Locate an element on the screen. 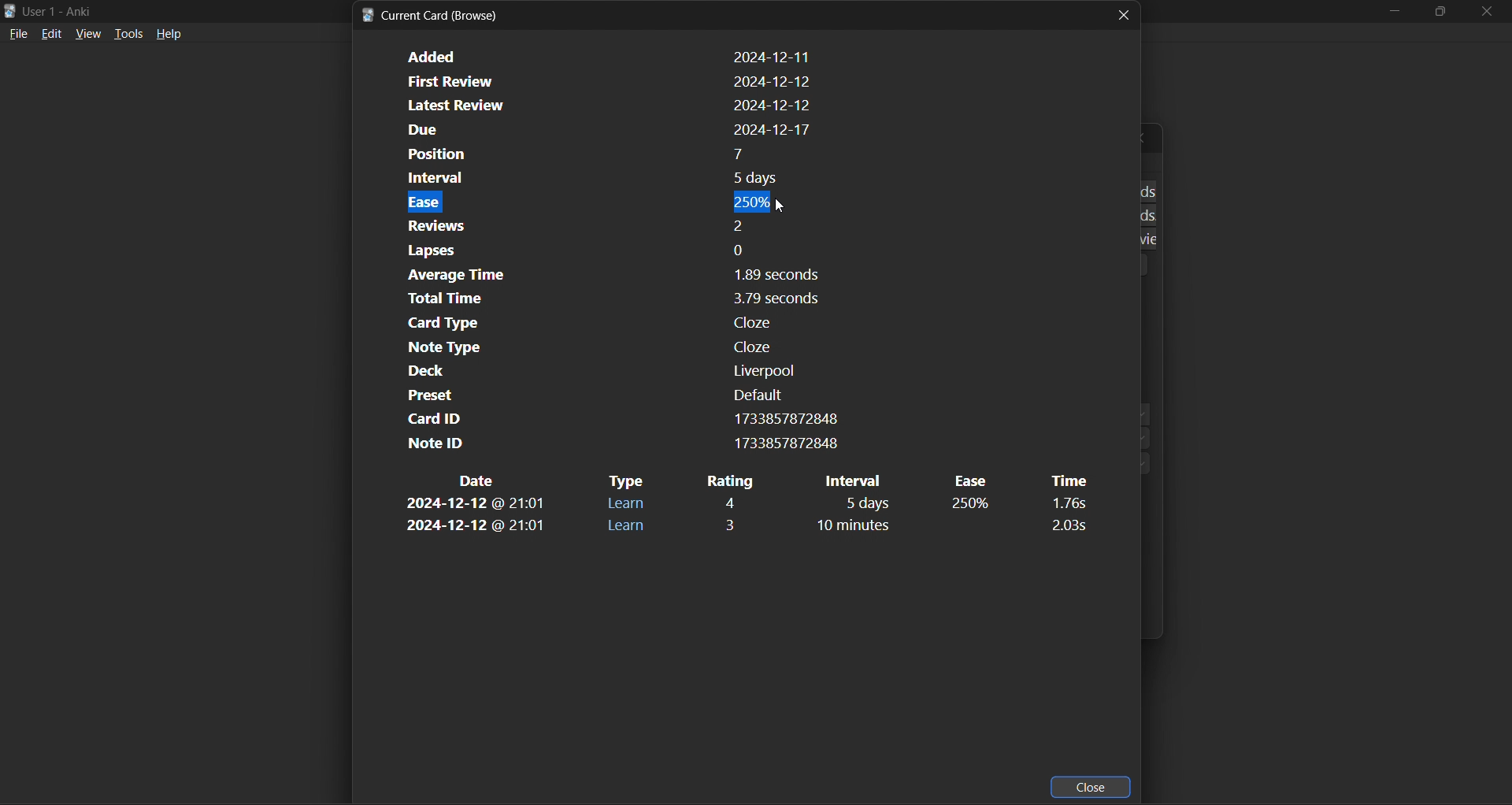 The width and height of the screenshot is (1512, 805). card id is located at coordinates (618, 418).